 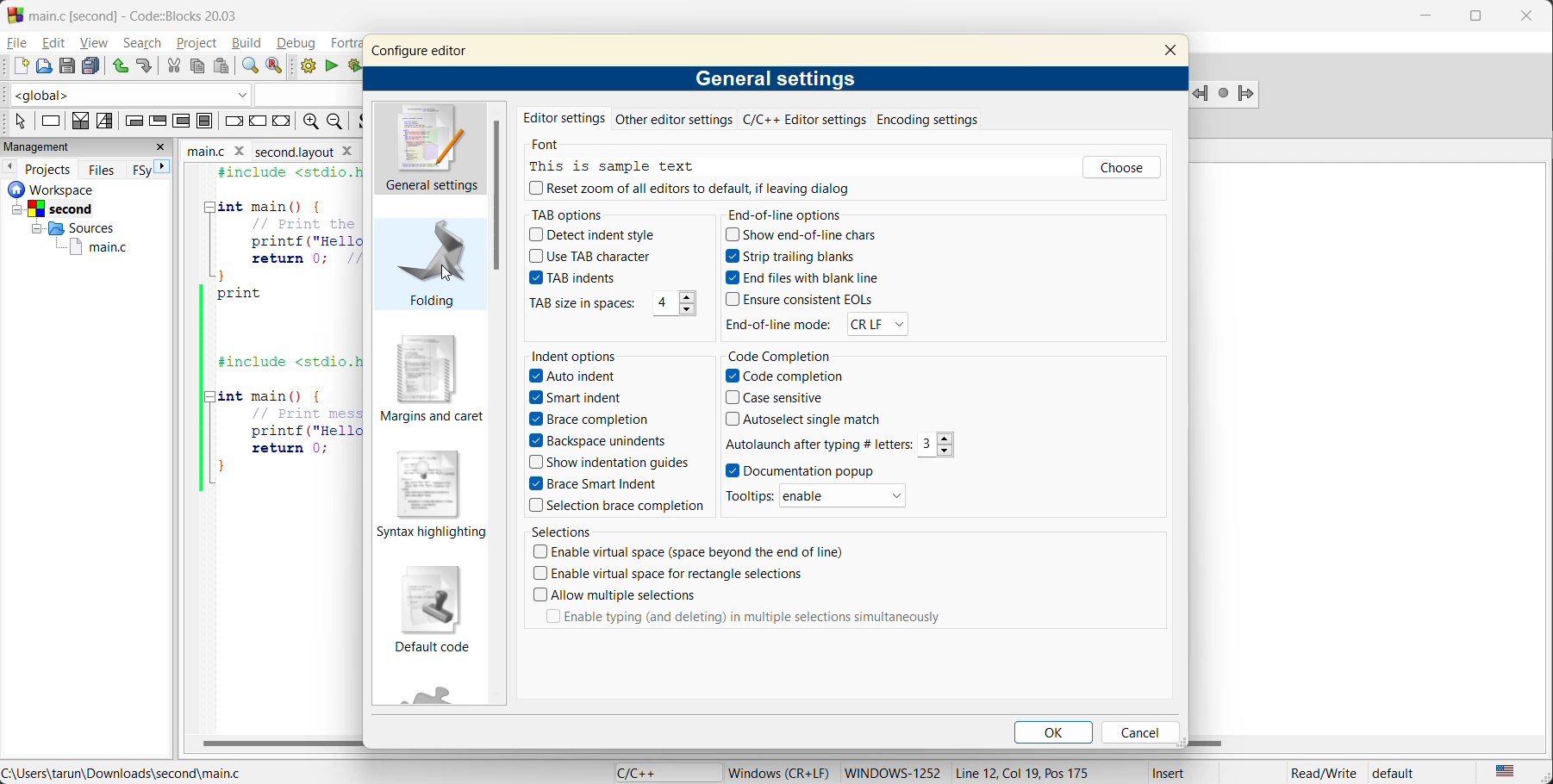 What do you see at coordinates (895, 770) in the screenshot?
I see `Windows-1252` at bounding box center [895, 770].